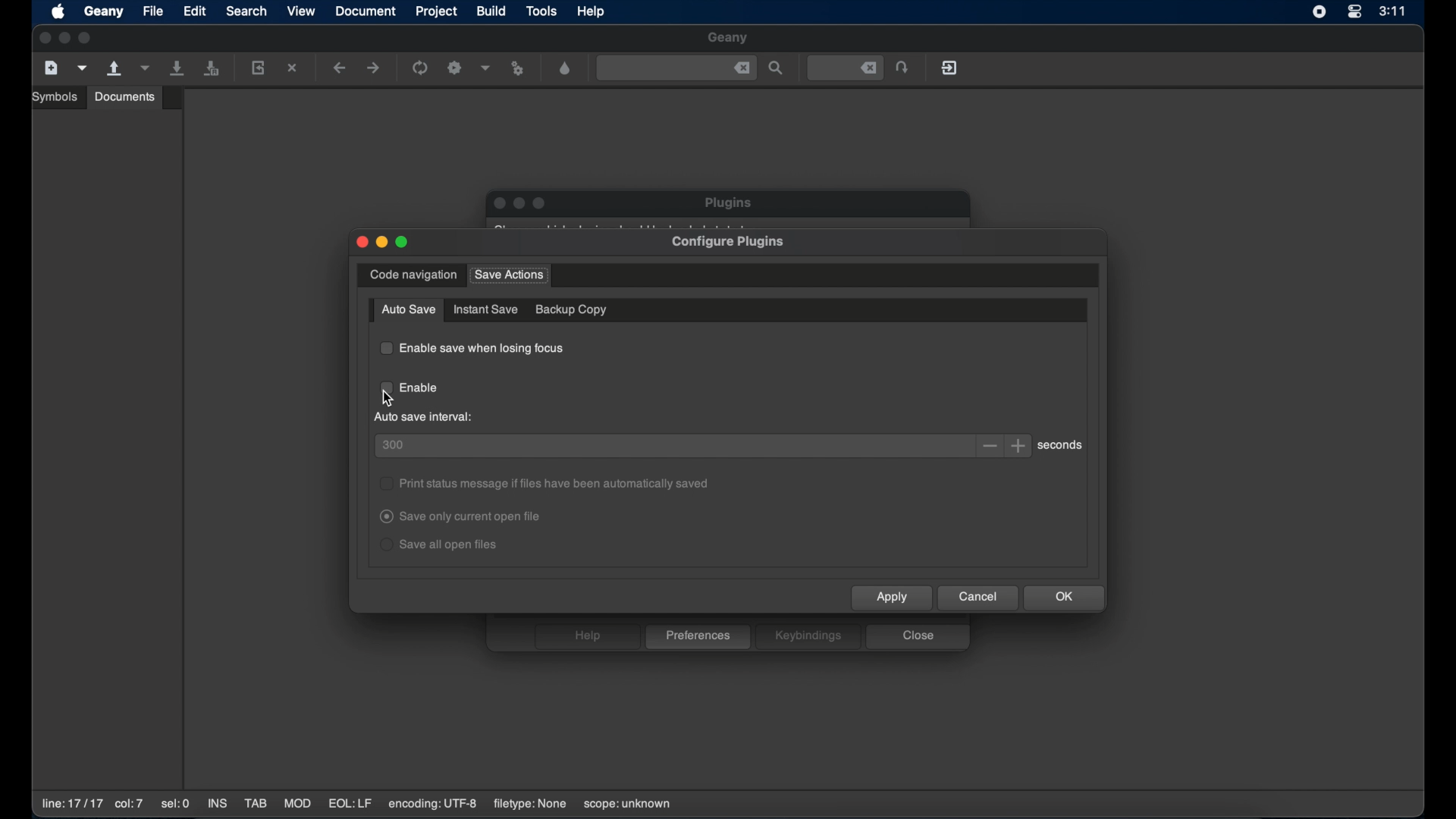  What do you see at coordinates (808, 636) in the screenshot?
I see `keybindings` at bounding box center [808, 636].